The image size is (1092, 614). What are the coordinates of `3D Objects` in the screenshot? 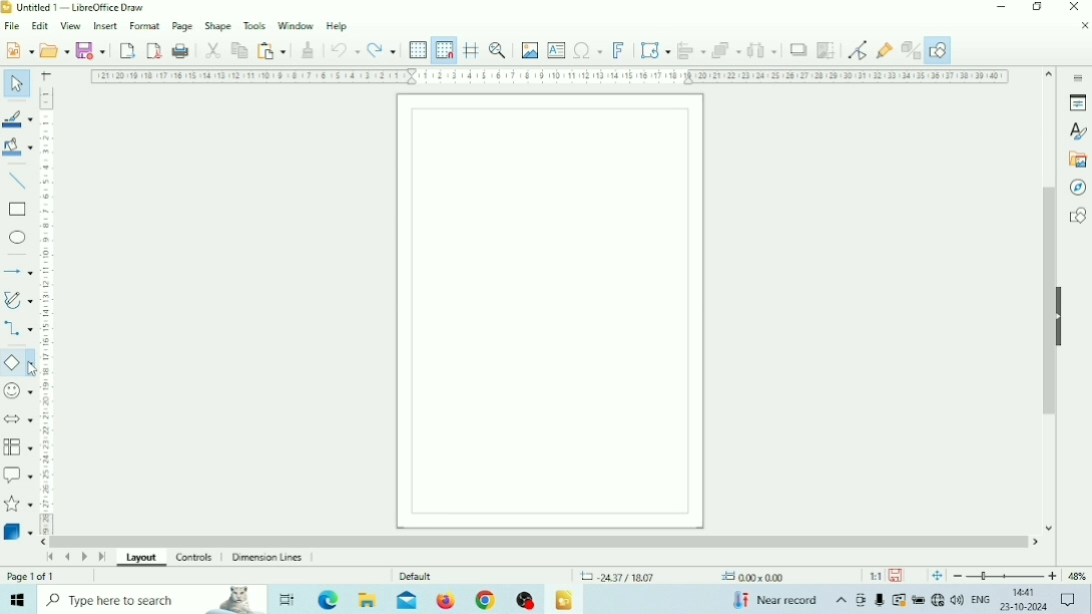 It's located at (18, 531).